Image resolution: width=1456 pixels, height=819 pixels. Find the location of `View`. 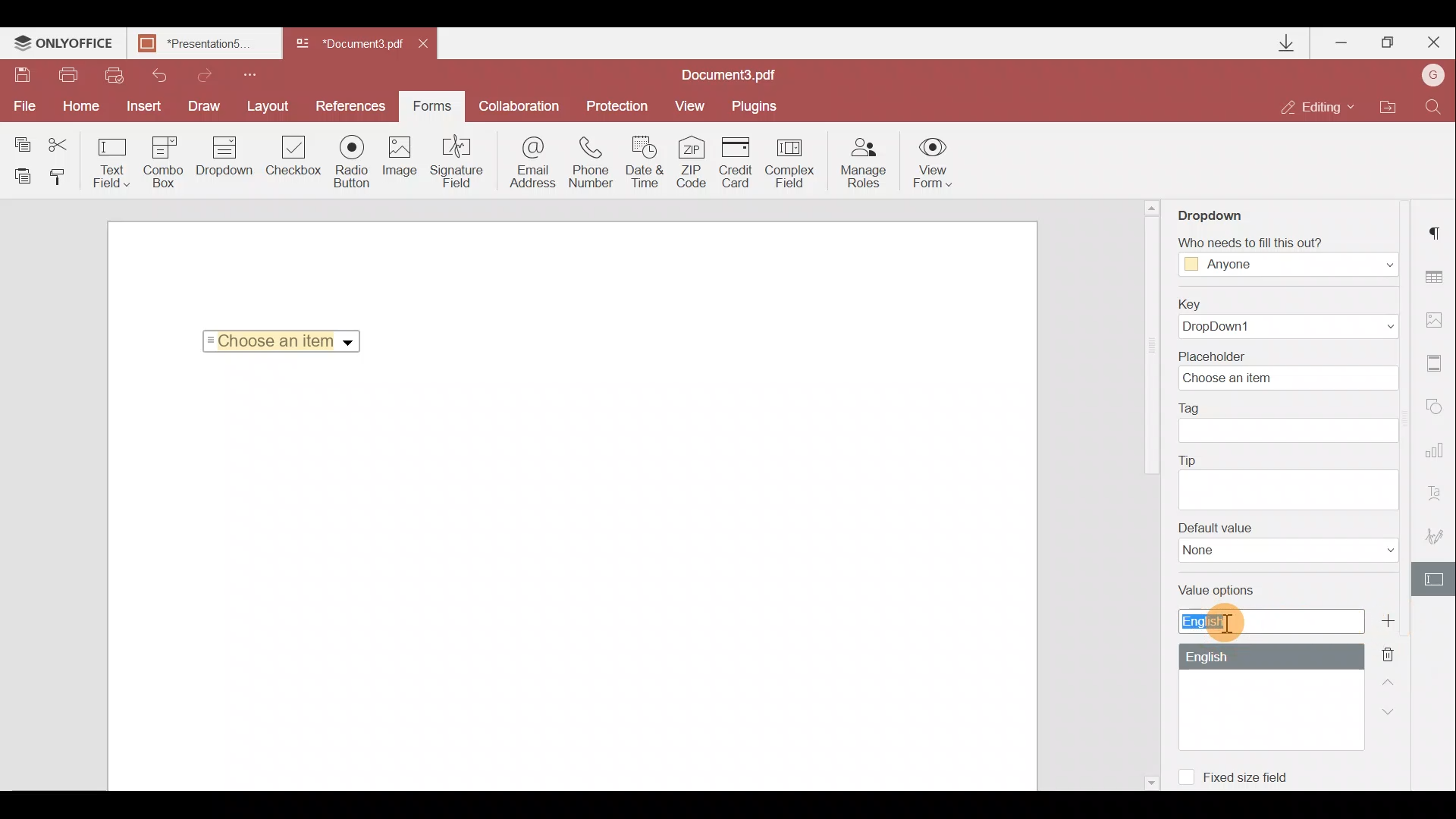

View is located at coordinates (690, 105).